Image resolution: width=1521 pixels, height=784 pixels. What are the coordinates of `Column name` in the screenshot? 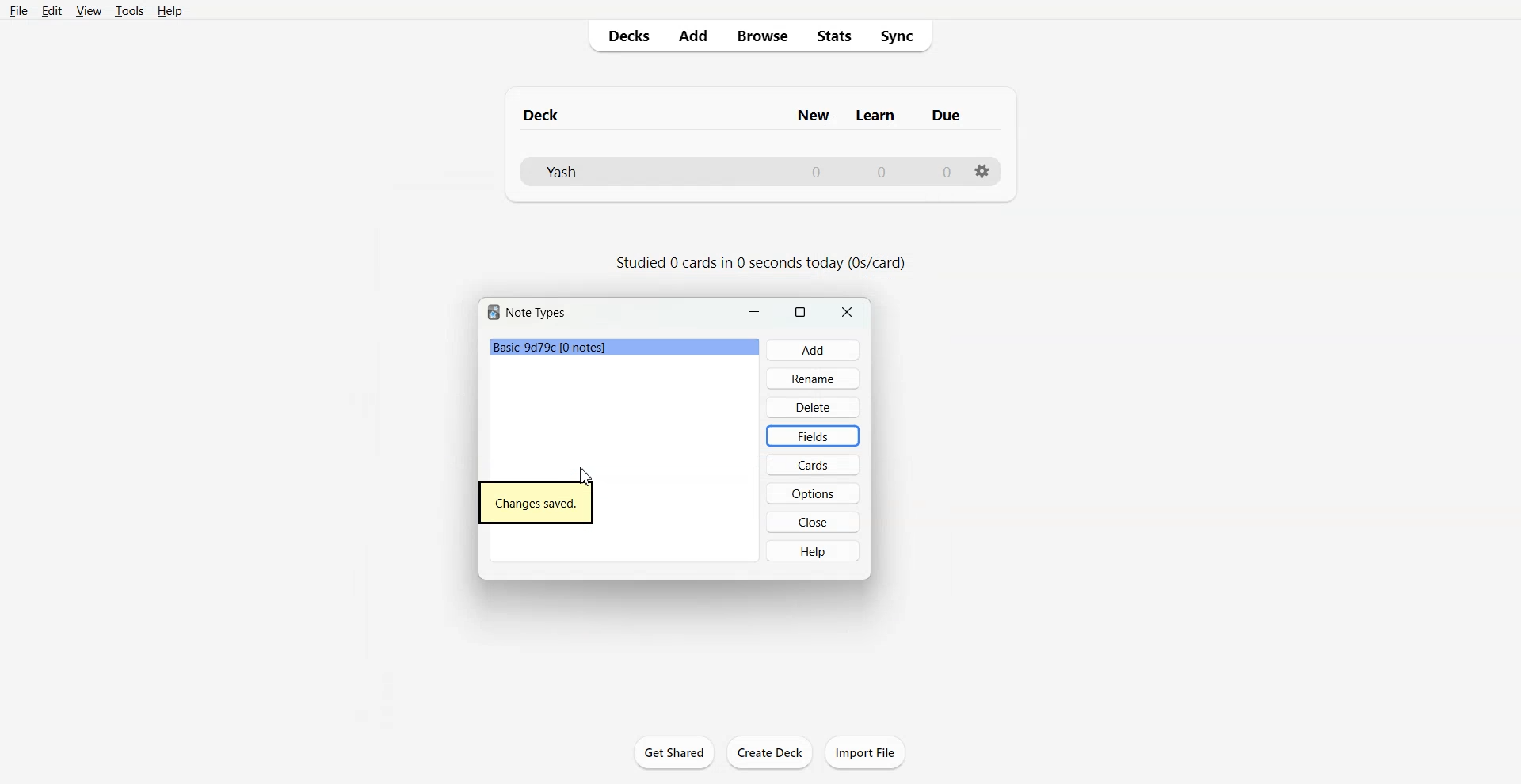 It's located at (875, 116).